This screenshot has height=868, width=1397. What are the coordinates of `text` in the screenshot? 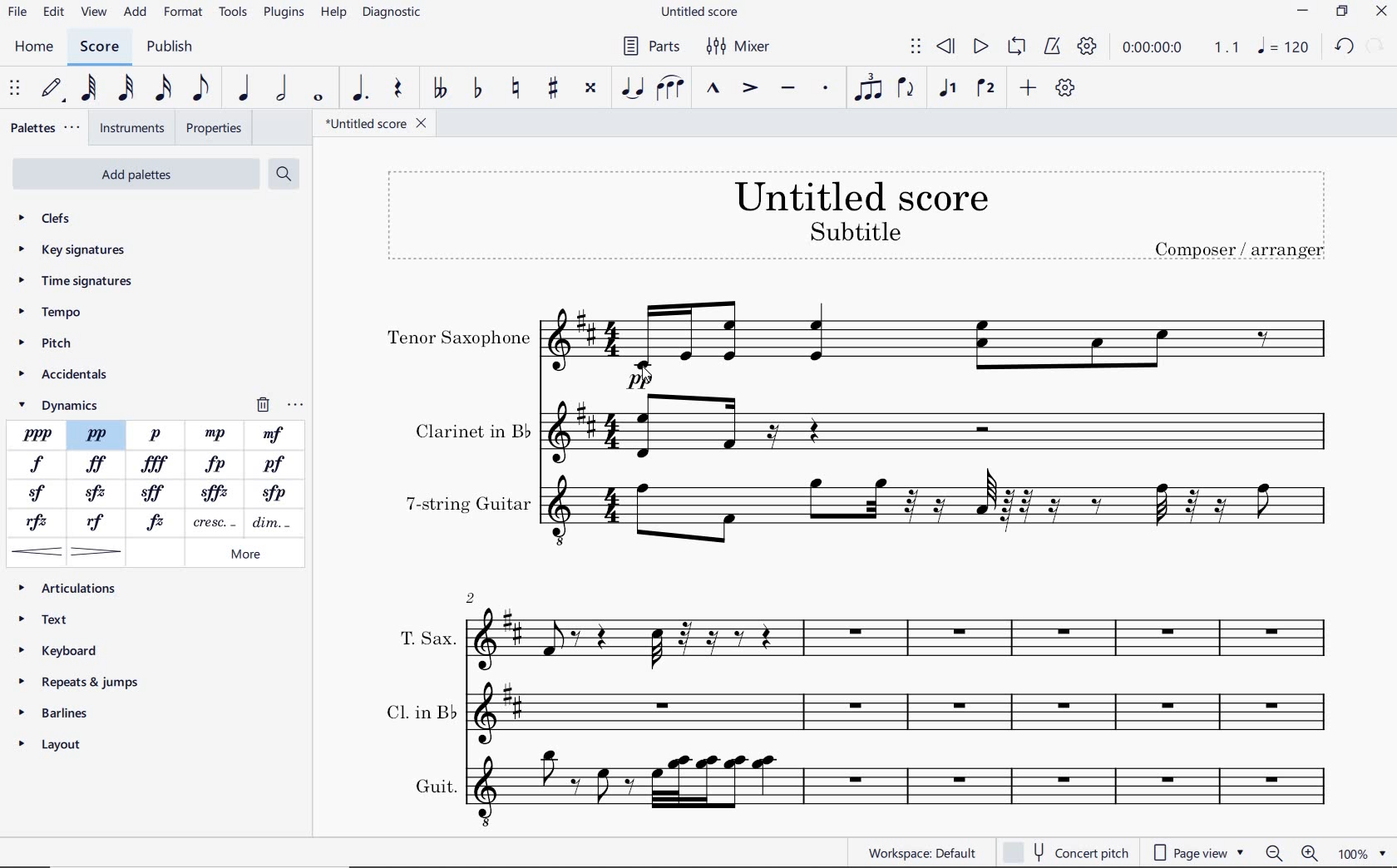 It's located at (426, 638).